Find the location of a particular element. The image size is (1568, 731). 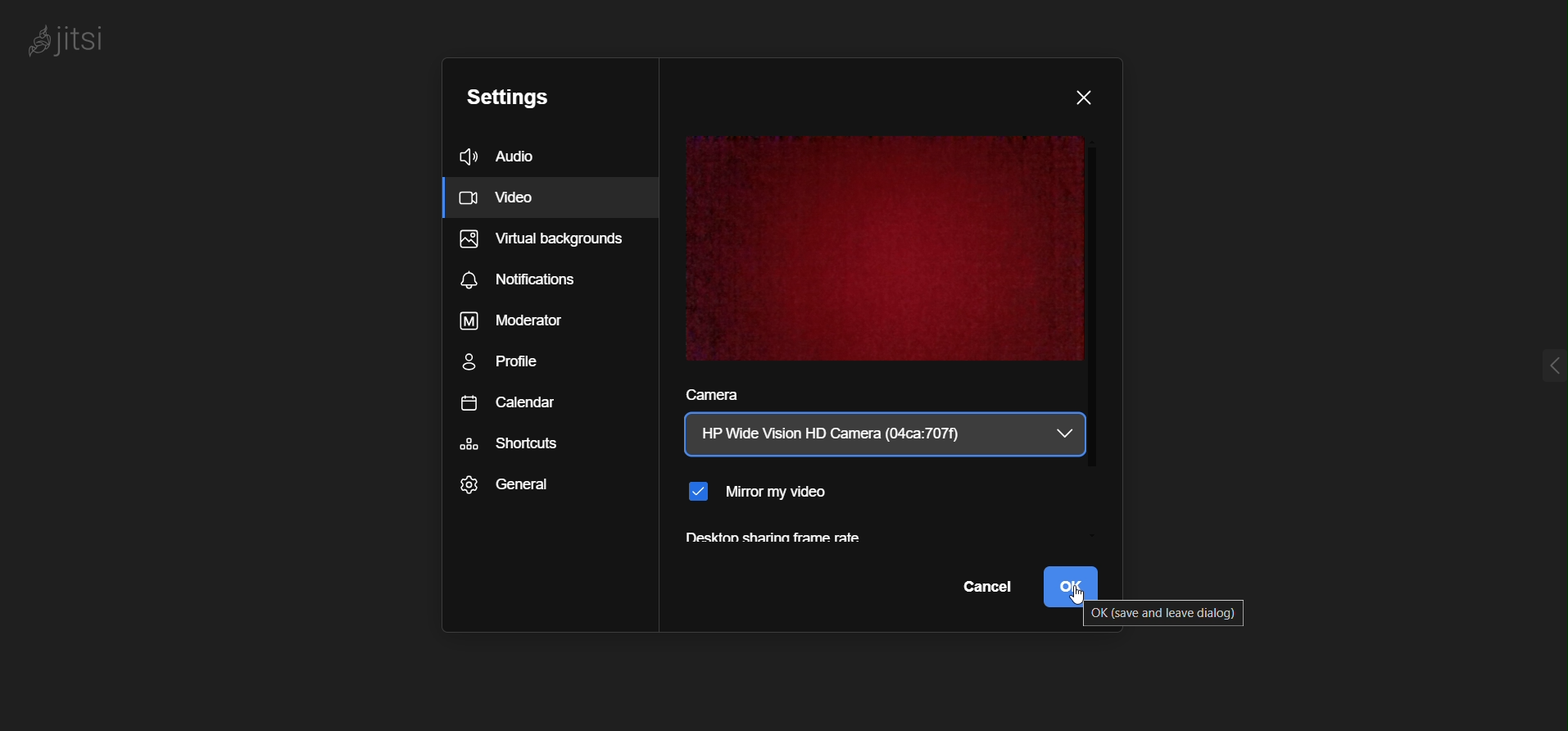

settings is located at coordinates (501, 99).